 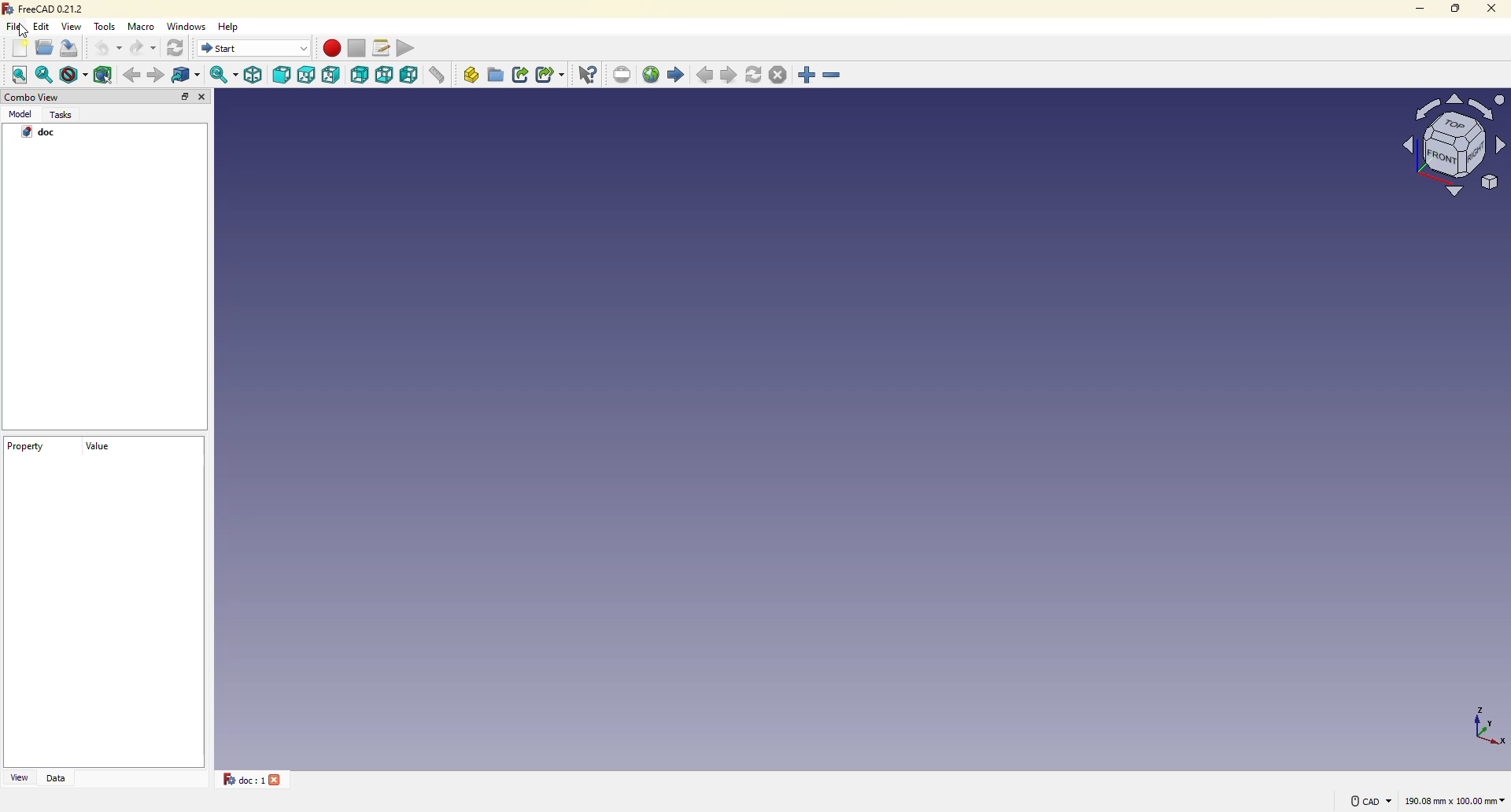 I want to click on fit all, so click(x=19, y=75).